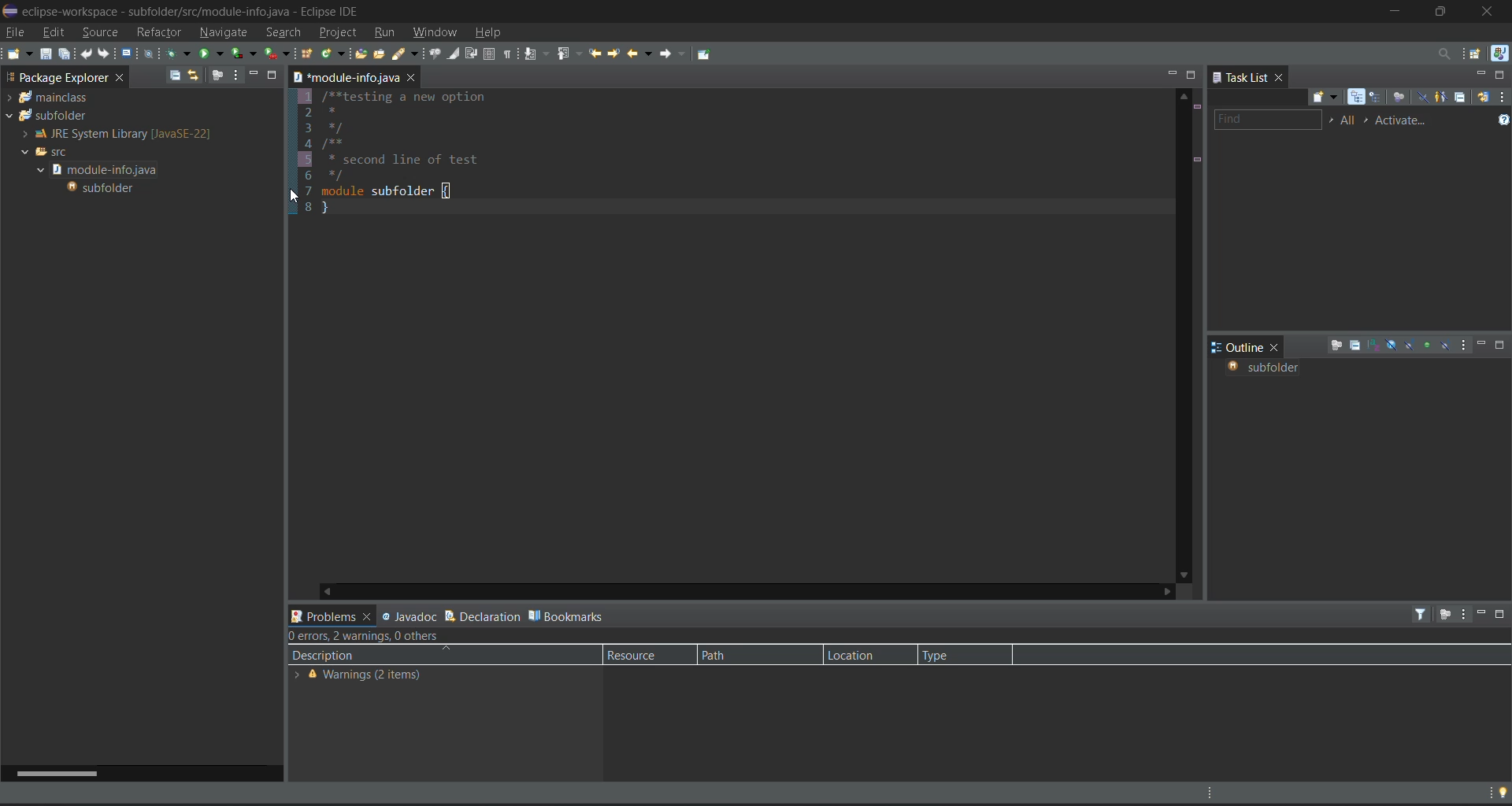 The image size is (1512, 806). Describe the element at coordinates (409, 615) in the screenshot. I see `javadoc` at that location.